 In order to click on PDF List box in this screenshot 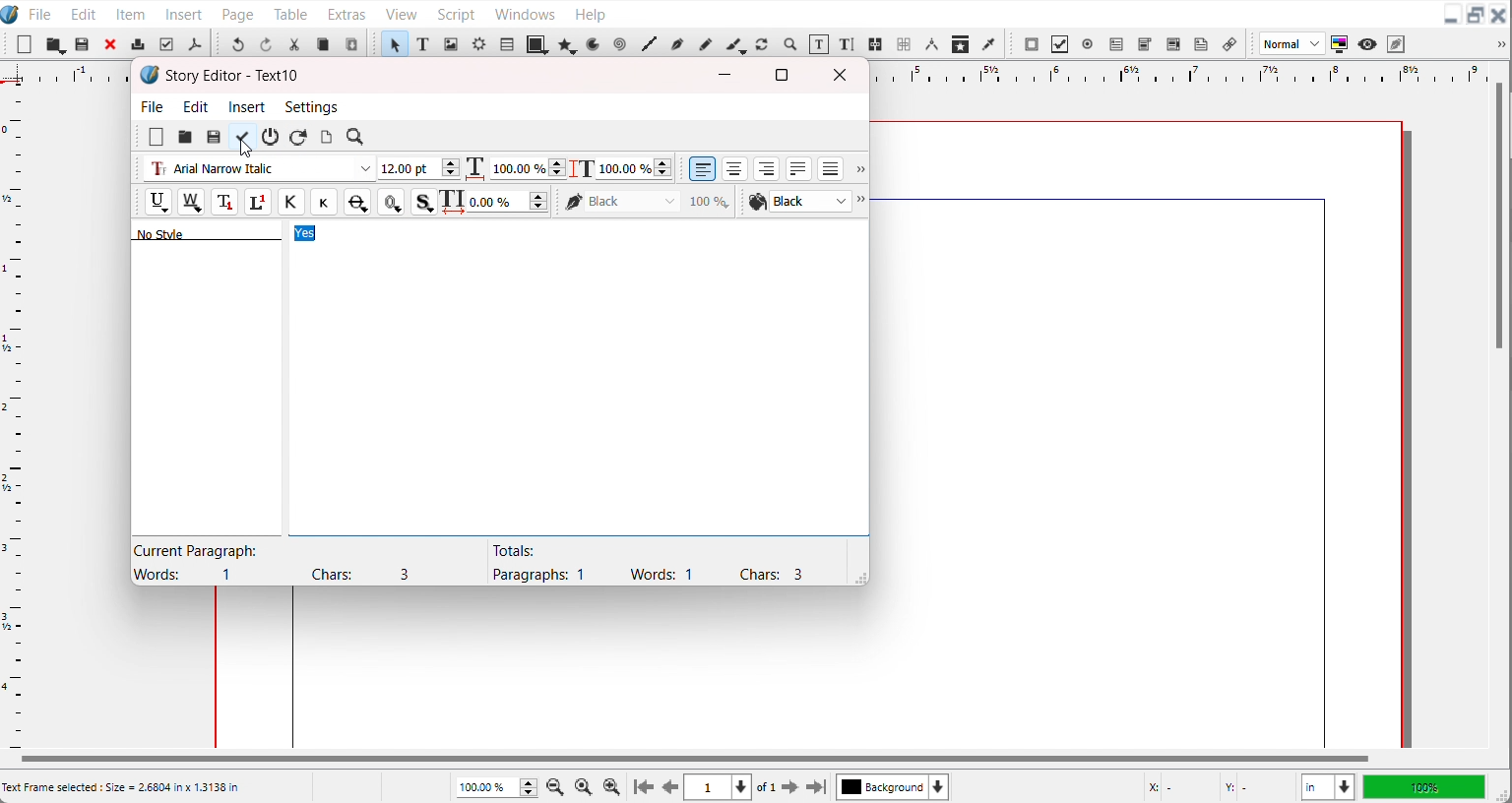, I will do `click(1174, 44)`.